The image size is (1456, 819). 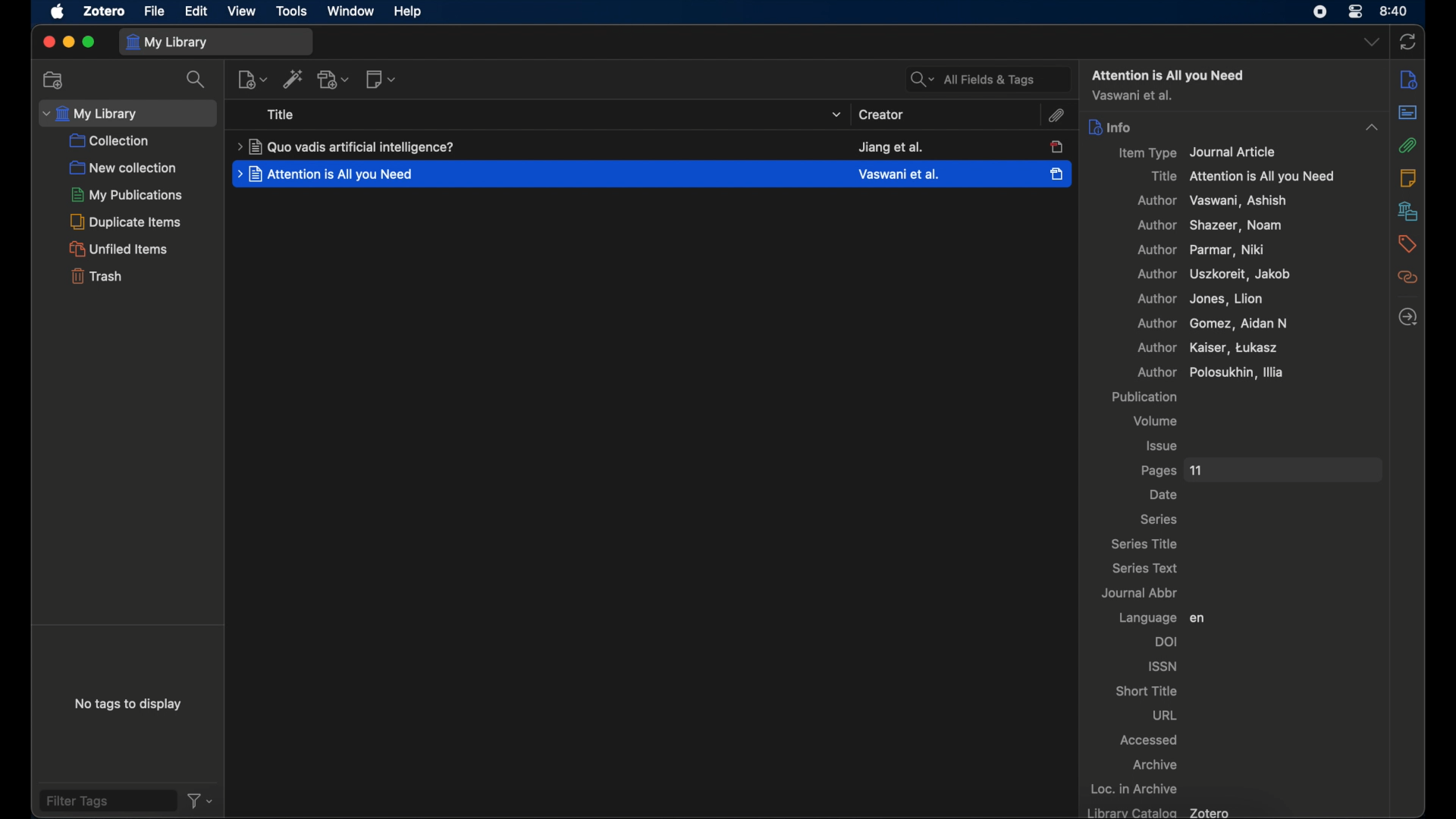 I want to click on archive, so click(x=1156, y=764).